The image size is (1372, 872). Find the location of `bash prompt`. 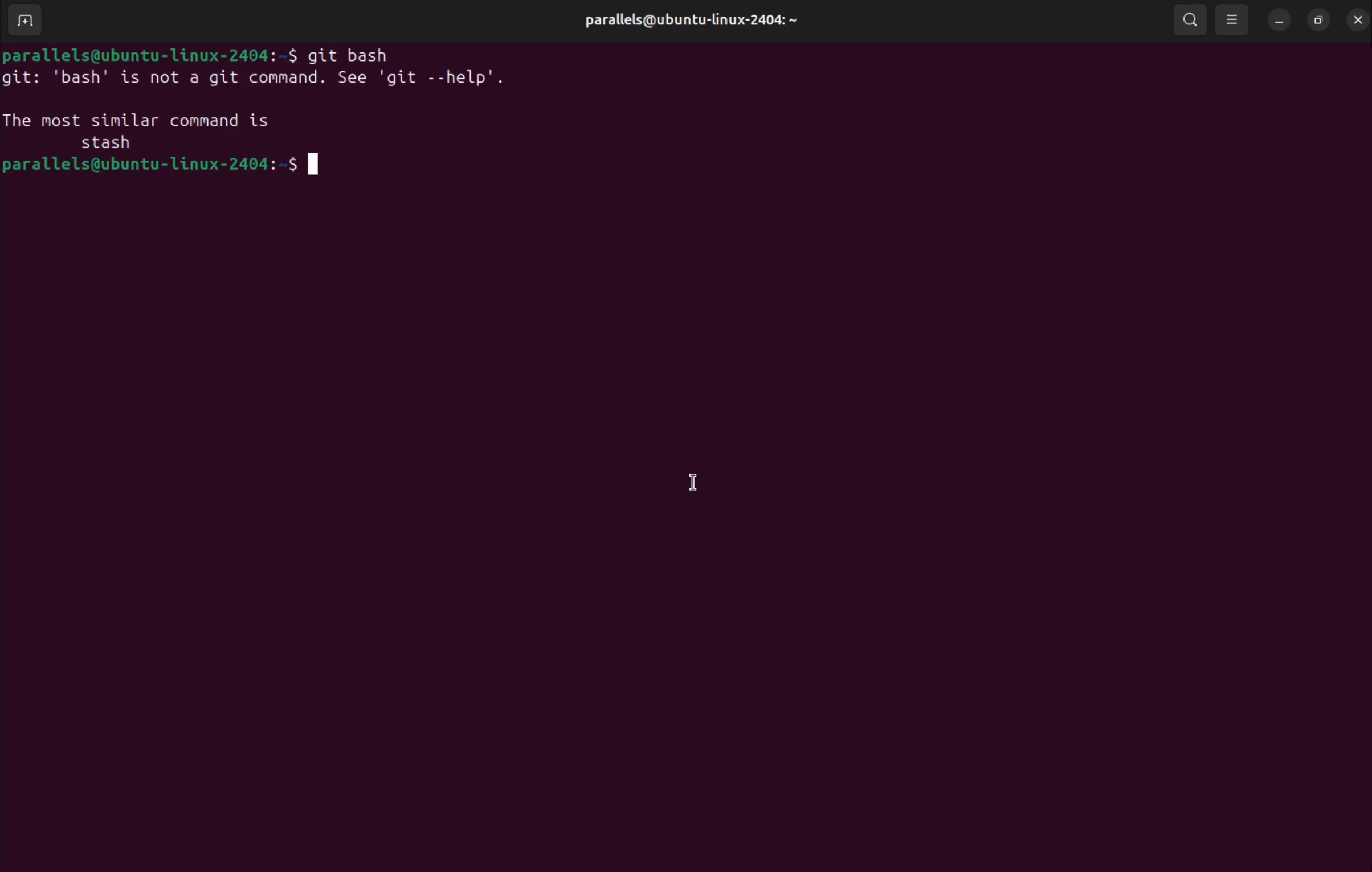

bash prompt is located at coordinates (139, 55).